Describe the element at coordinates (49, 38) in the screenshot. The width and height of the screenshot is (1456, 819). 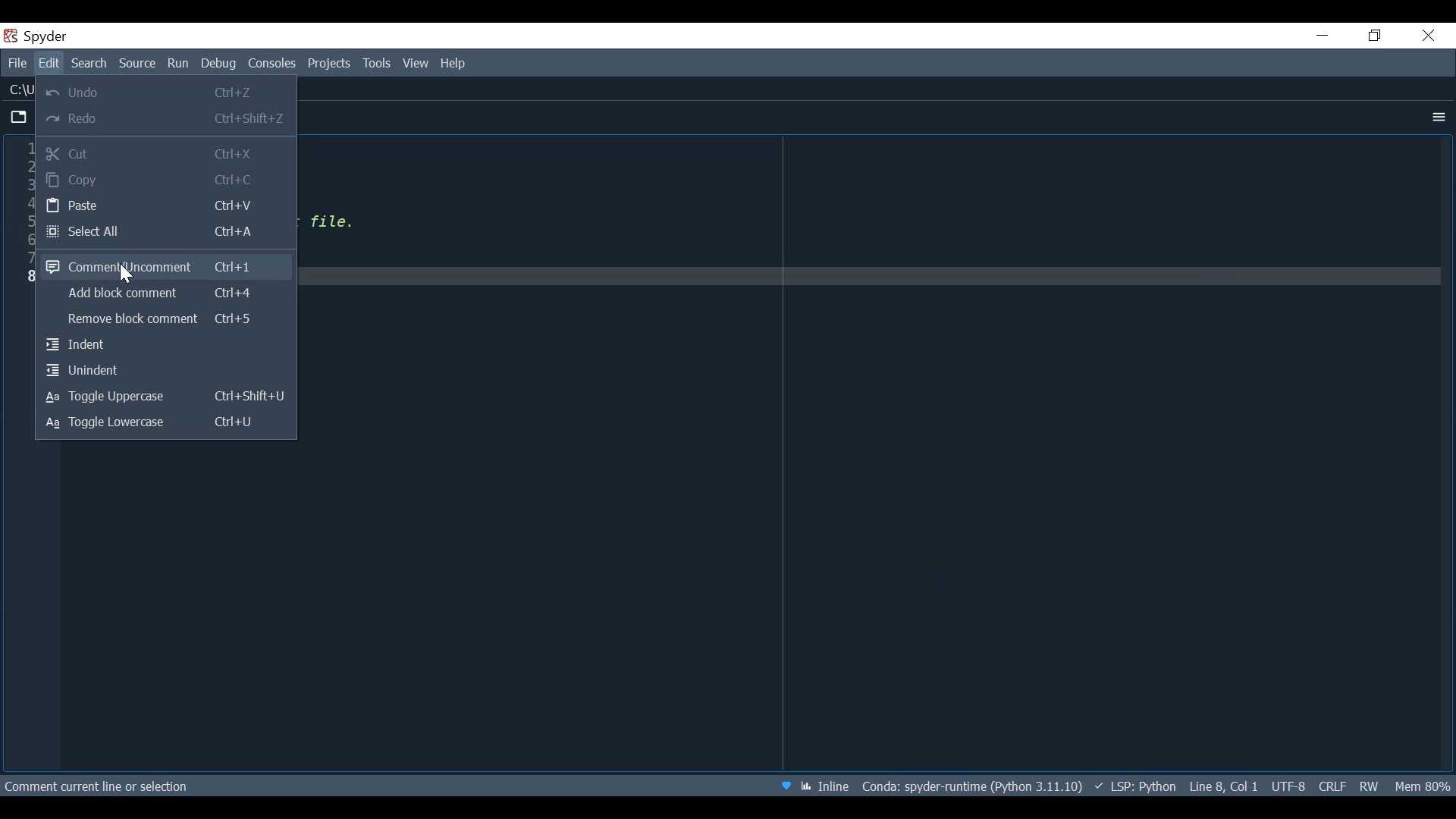
I see `spyder` at that location.